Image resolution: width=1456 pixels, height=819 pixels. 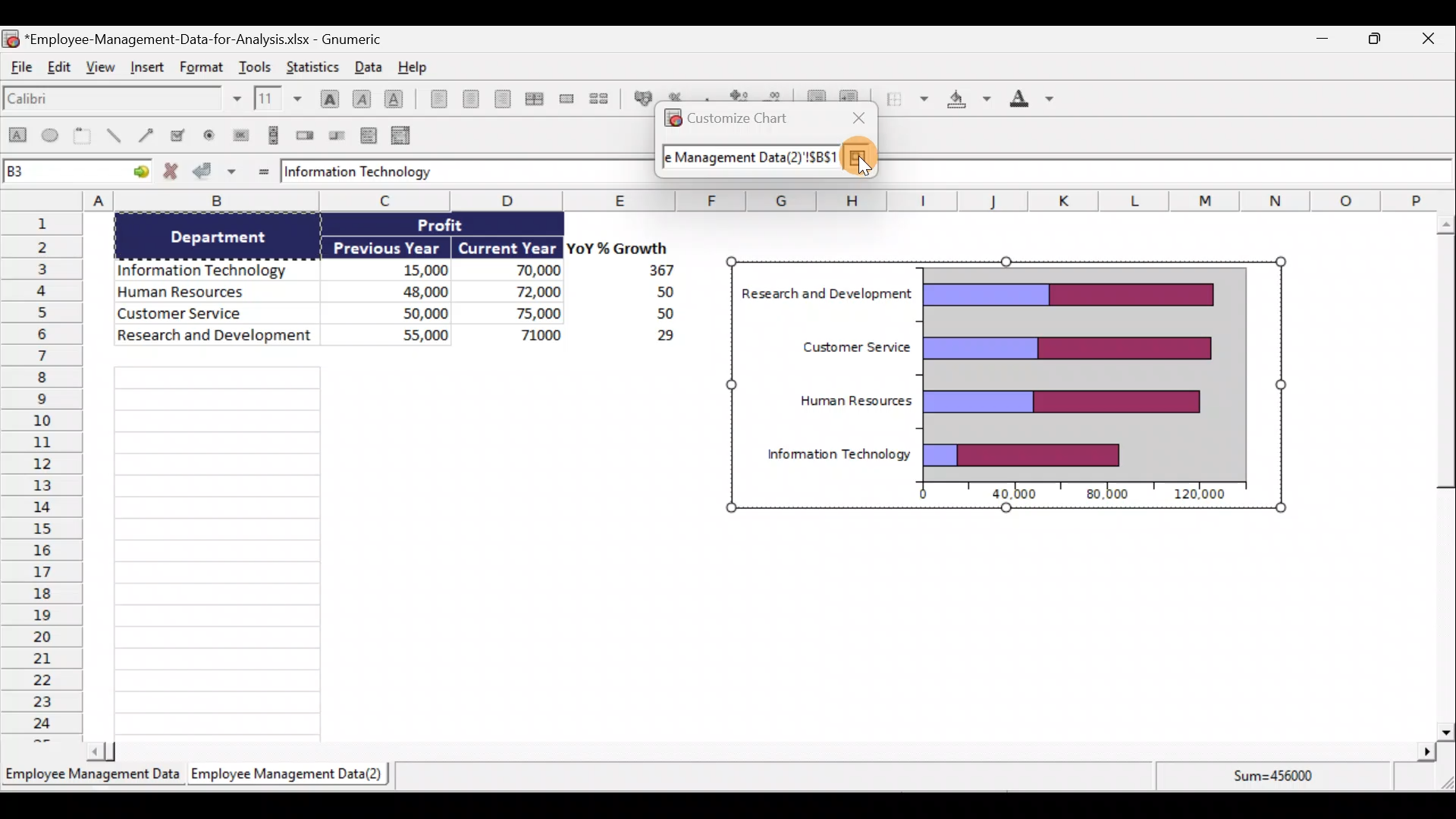 I want to click on Underline, so click(x=397, y=102).